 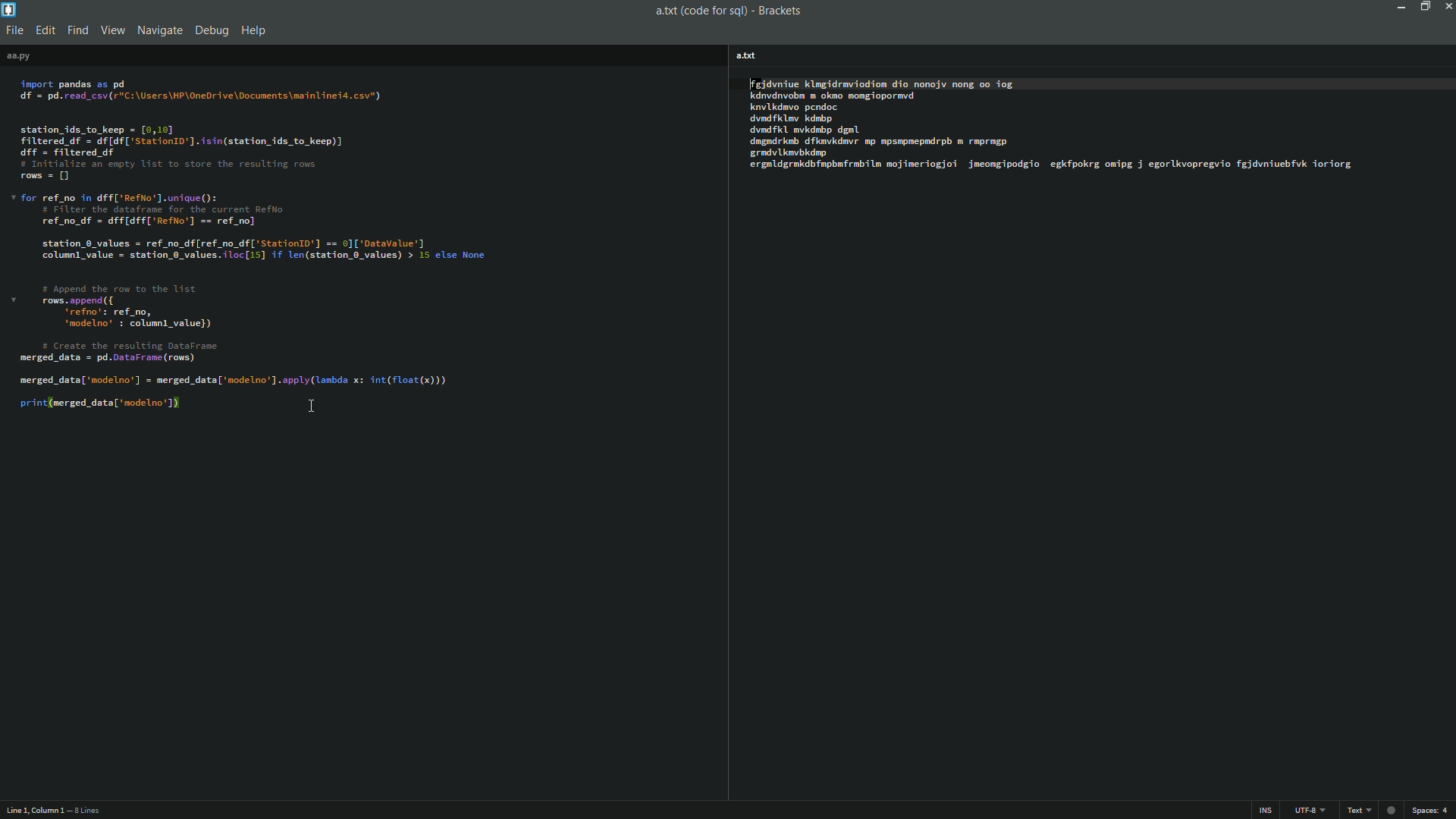 I want to click on edit menu, so click(x=44, y=32).